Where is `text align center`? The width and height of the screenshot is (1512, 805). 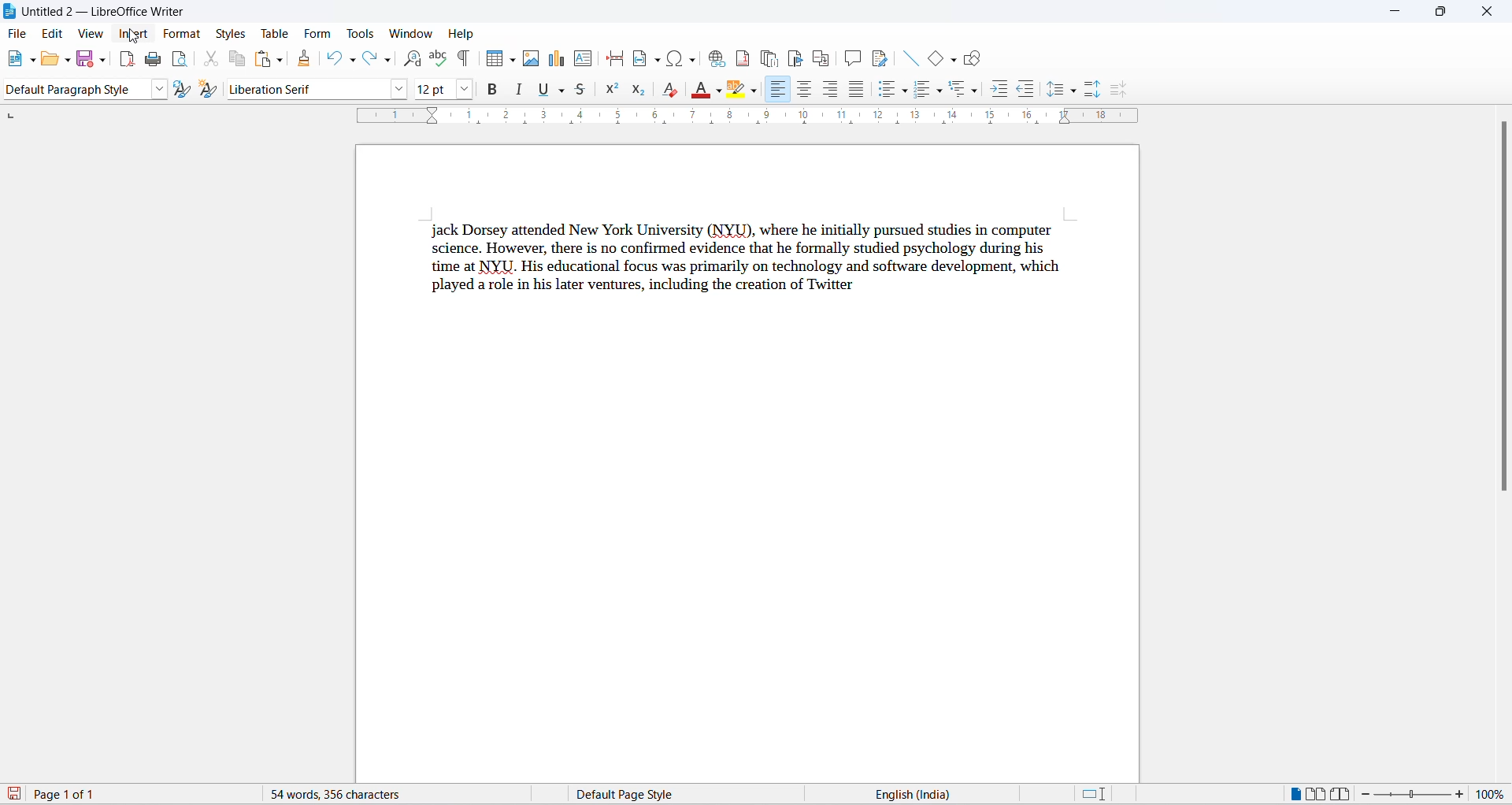
text align center is located at coordinates (802, 88).